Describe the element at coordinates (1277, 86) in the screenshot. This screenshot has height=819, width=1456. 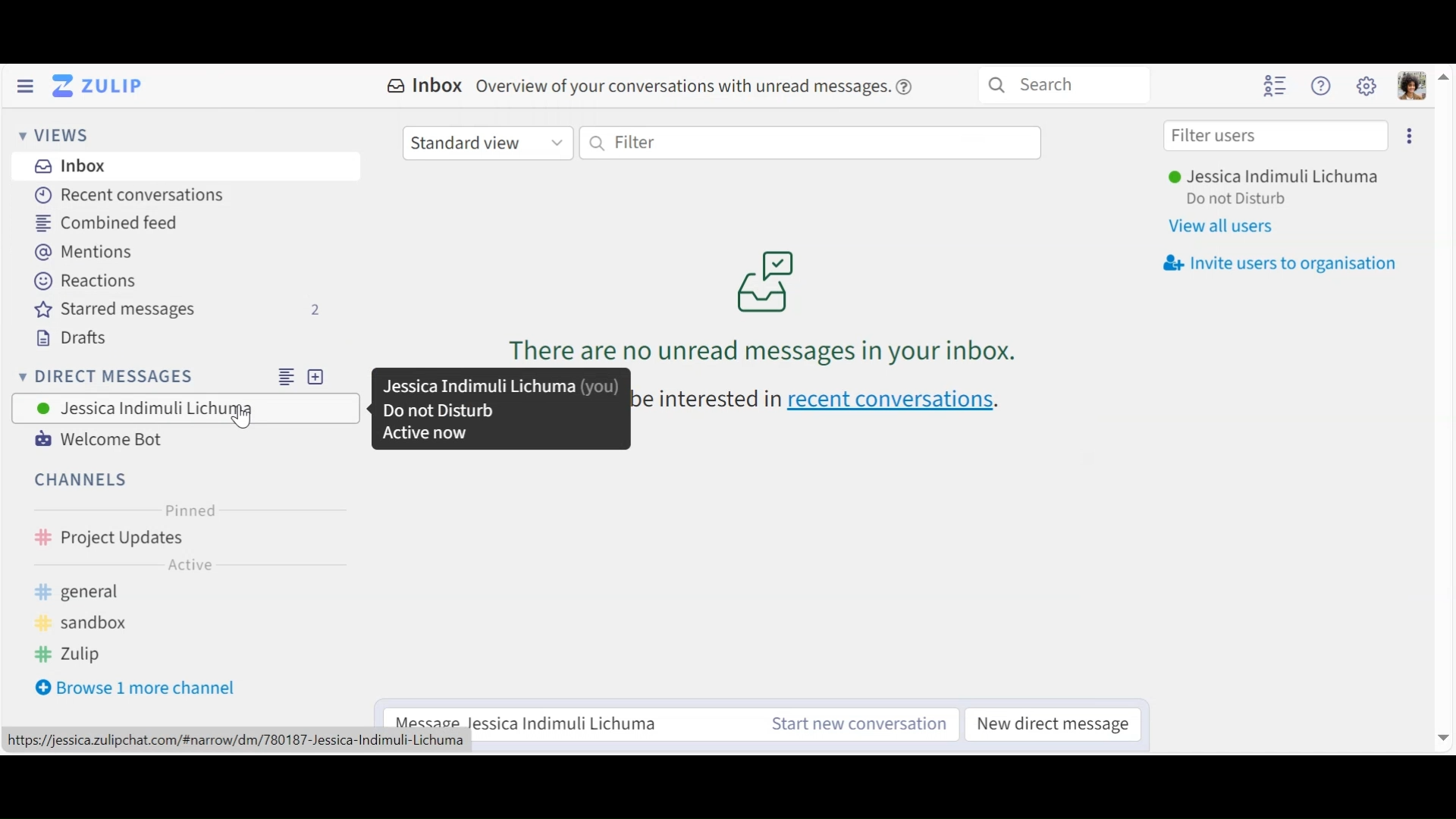
I see `Hide user list` at that location.